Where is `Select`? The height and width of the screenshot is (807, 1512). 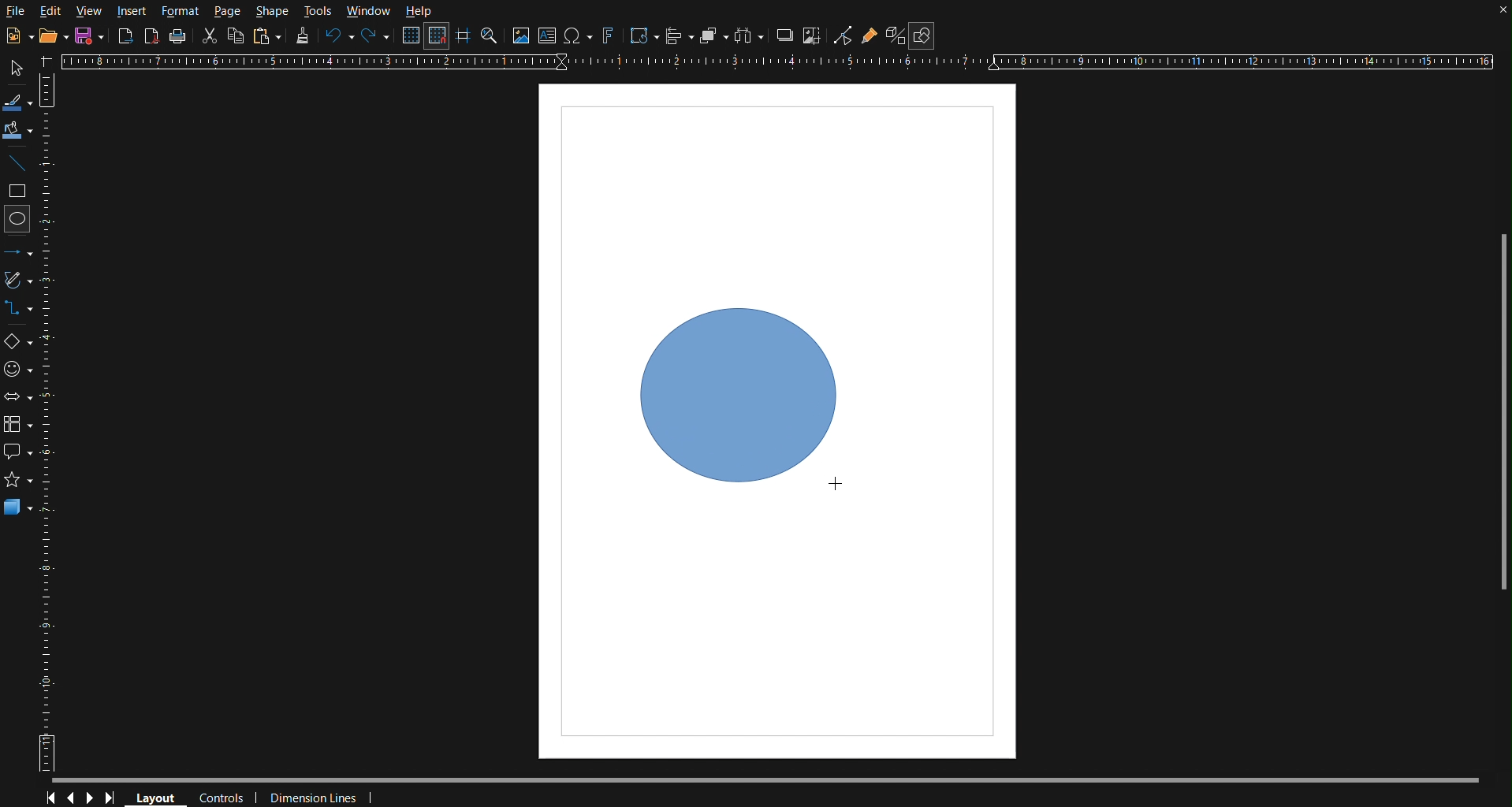 Select is located at coordinates (19, 67).